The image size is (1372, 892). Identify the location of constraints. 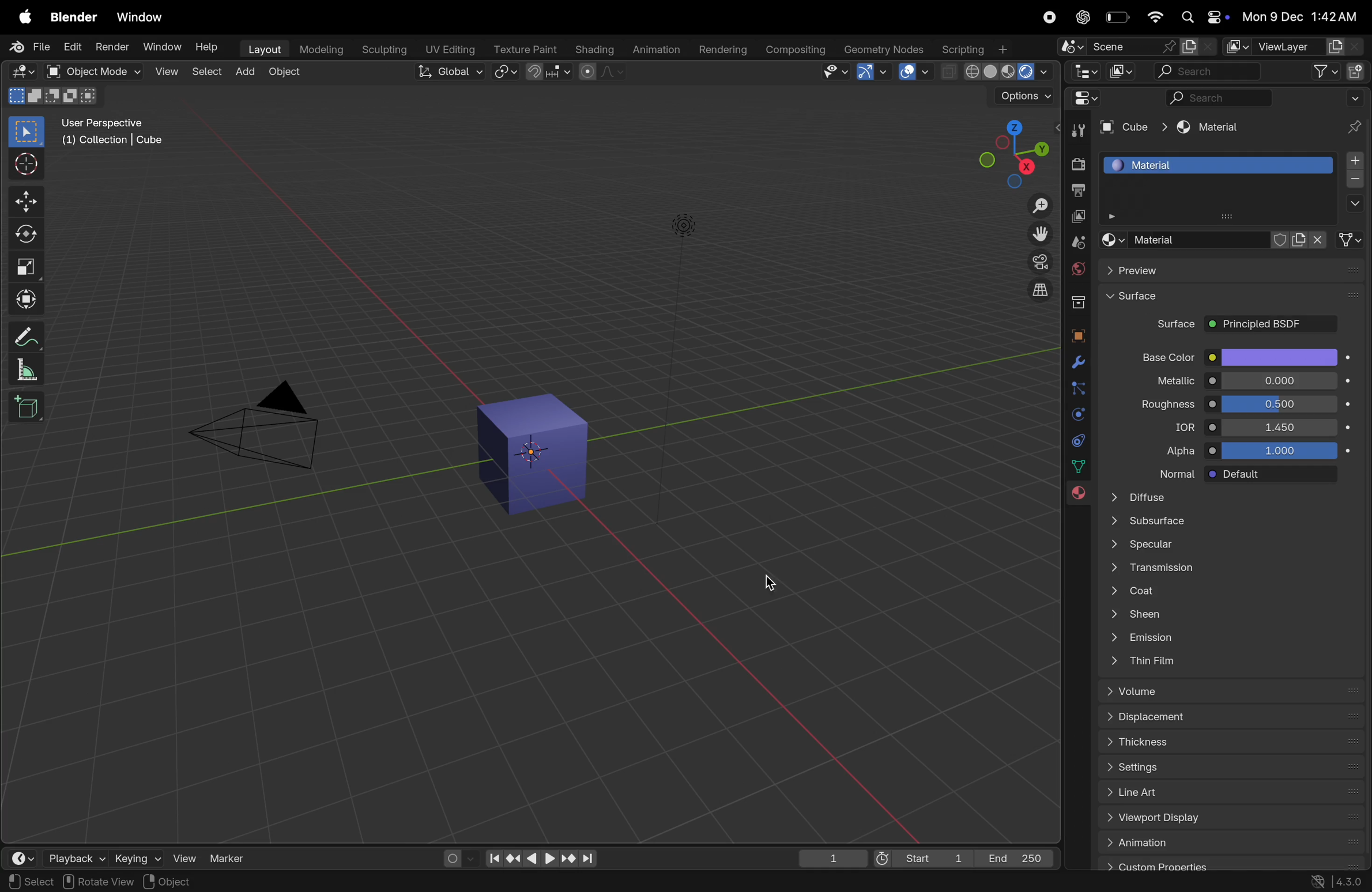
(1076, 440).